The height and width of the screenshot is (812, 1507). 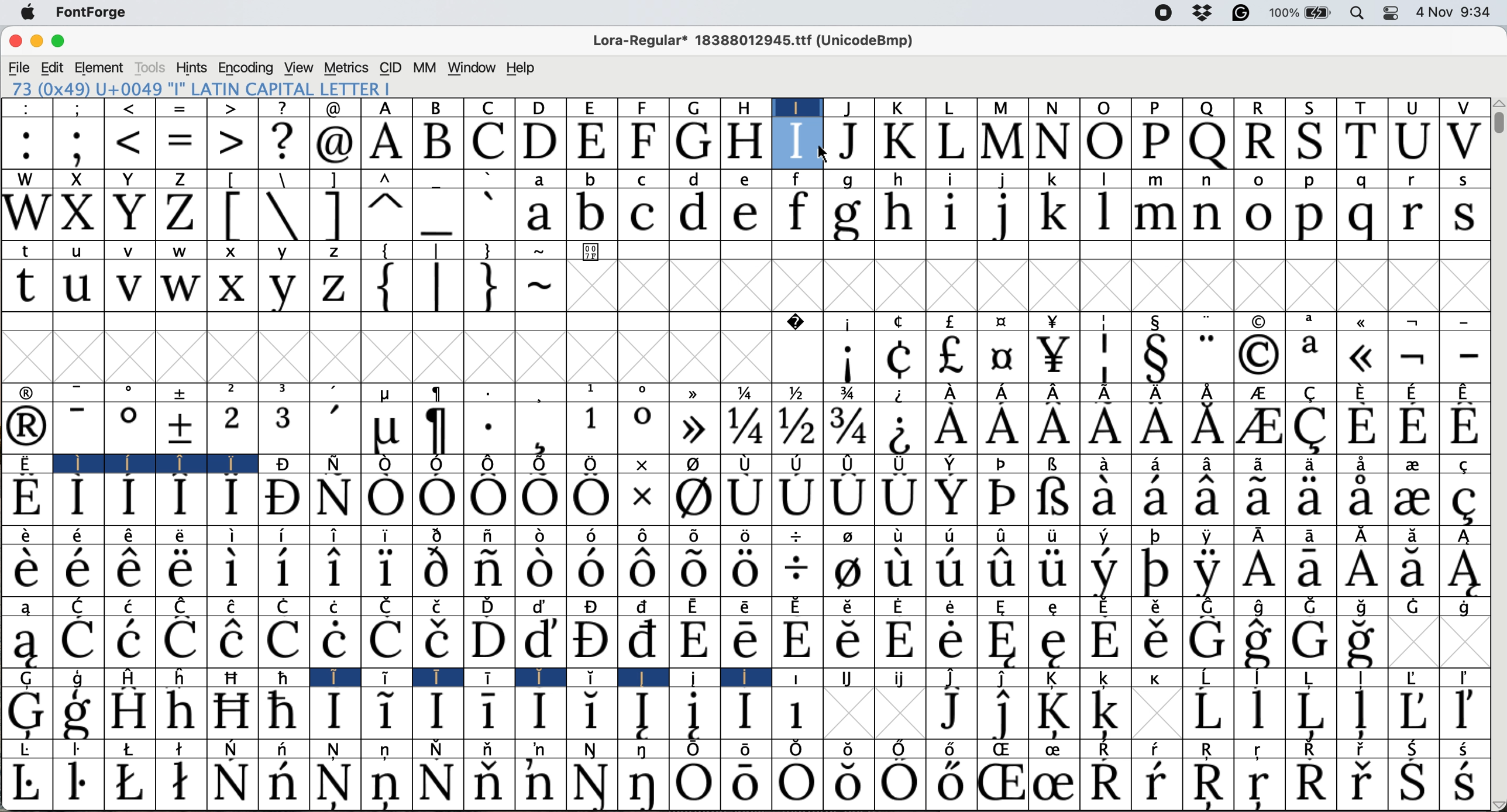 What do you see at coordinates (388, 107) in the screenshot?
I see `A` at bounding box center [388, 107].